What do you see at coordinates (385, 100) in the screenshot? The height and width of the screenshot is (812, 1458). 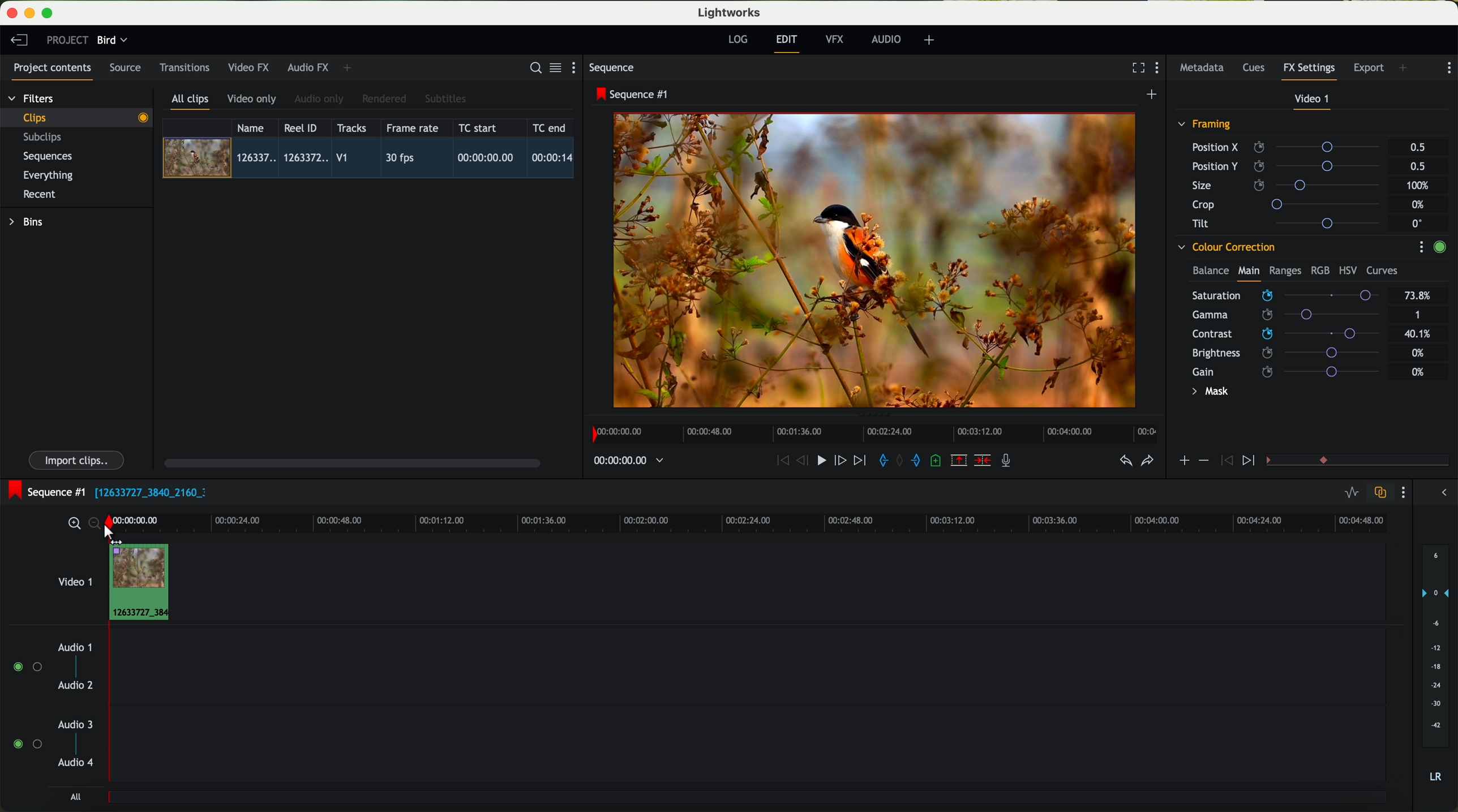 I see `rendered` at bounding box center [385, 100].